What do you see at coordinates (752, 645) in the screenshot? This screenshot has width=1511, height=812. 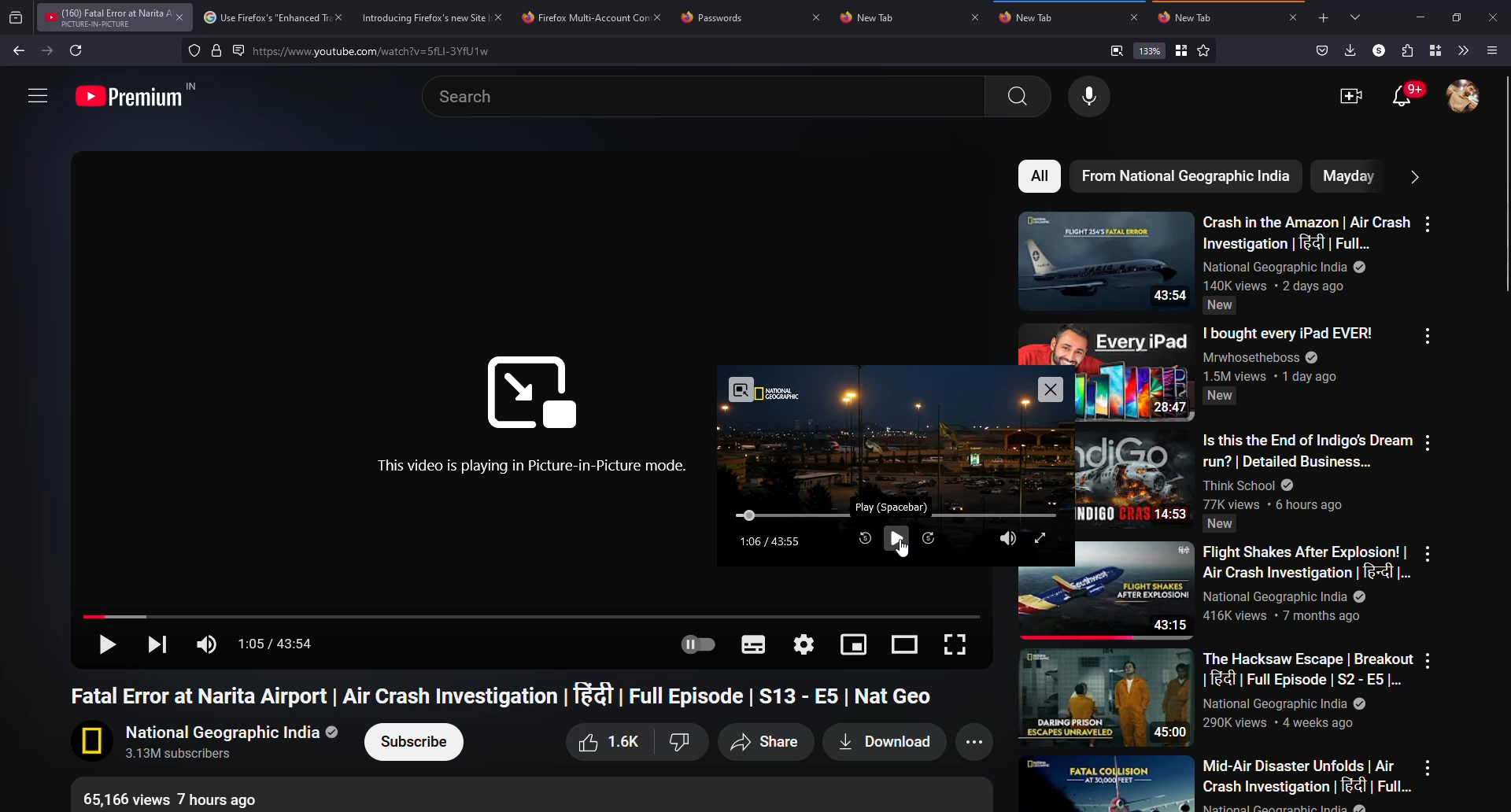 I see `subtitle` at bounding box center [752, 645].